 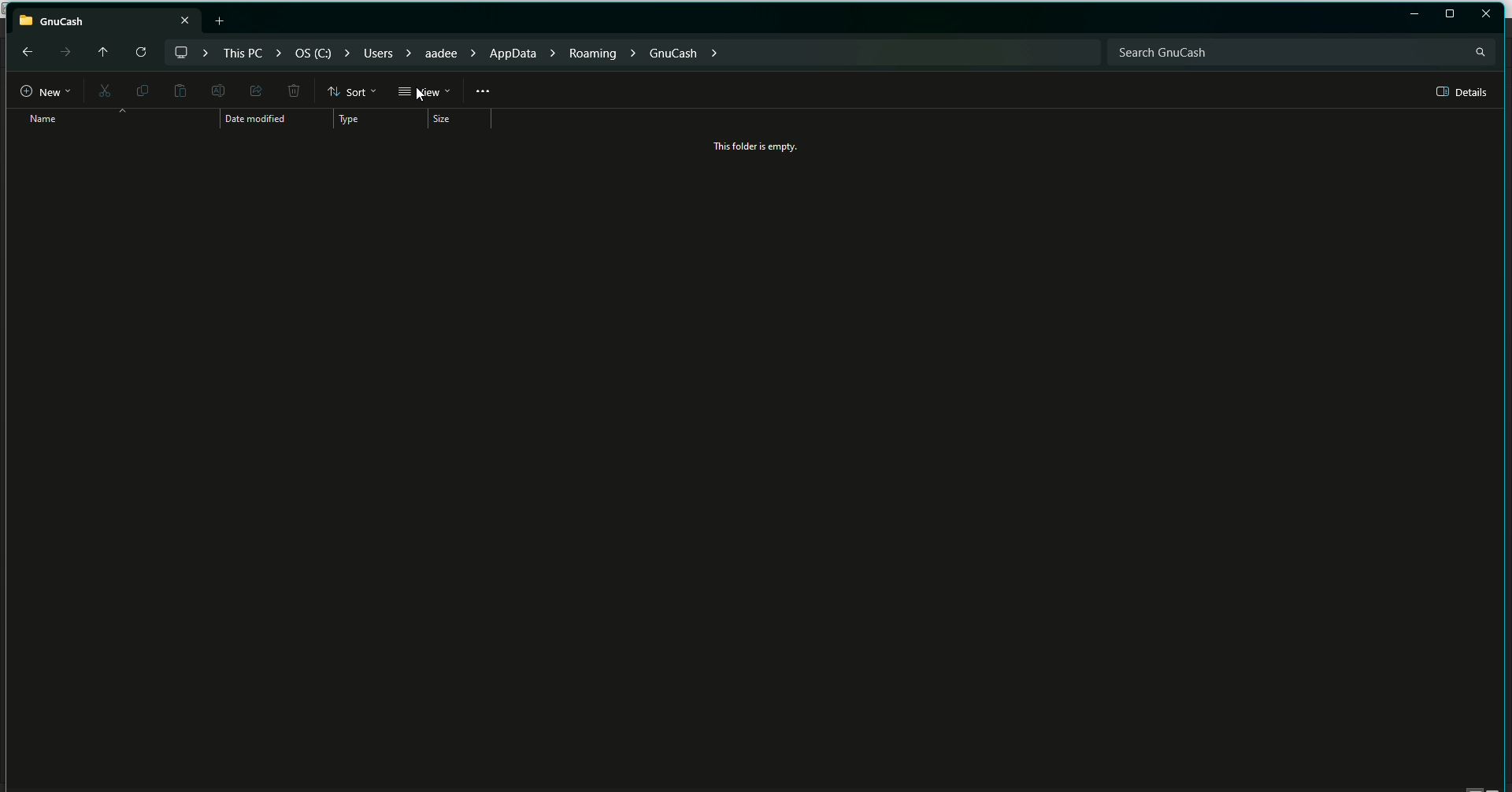 What do you see at coordinates (106, 18) in the screenshot?
I see `This PC` at bounding box center [106, 18].